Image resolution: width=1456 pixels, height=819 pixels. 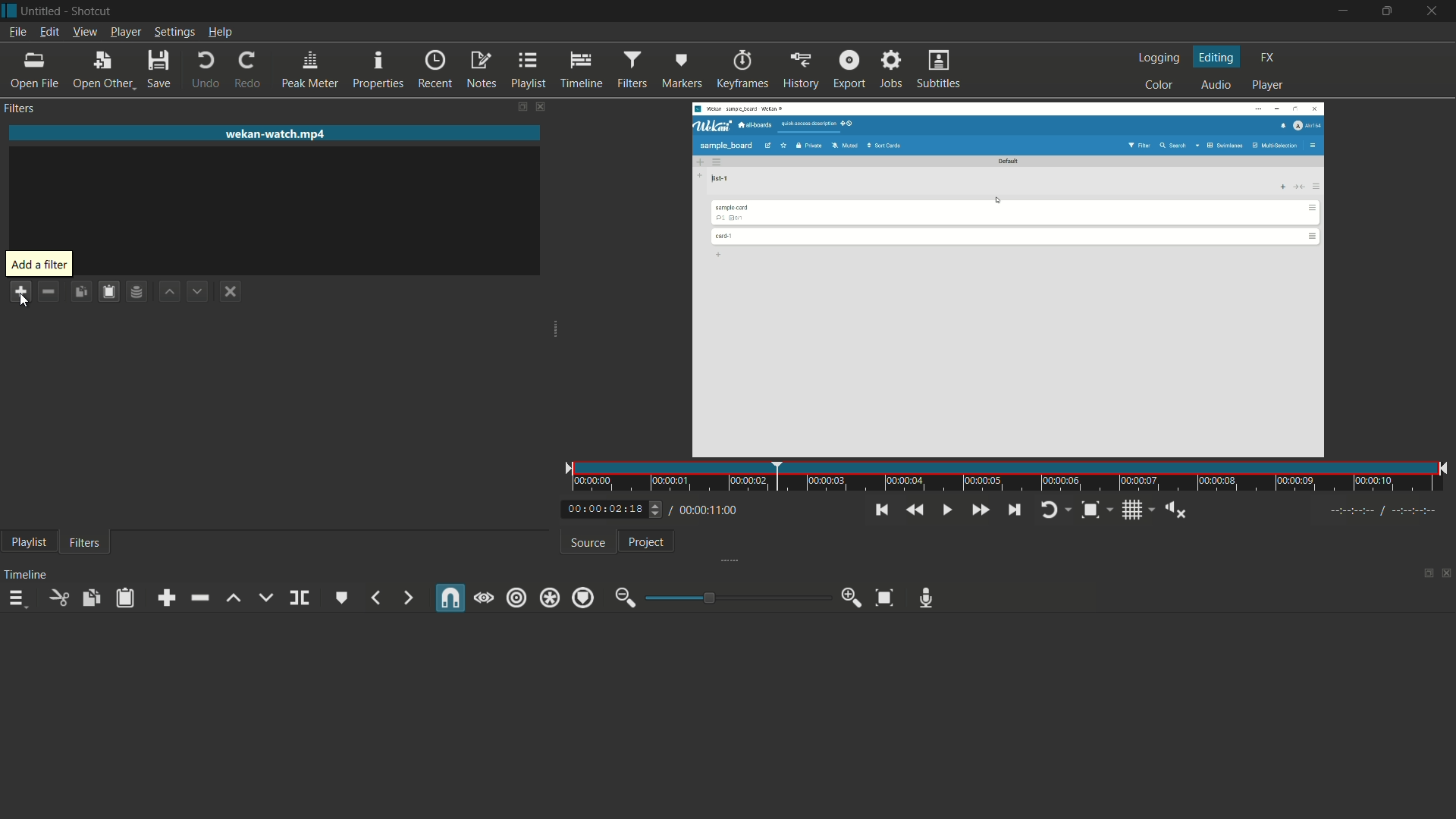 What do you see at coordinates (736, 598) in the screenshot?
I see `adjustment bar` at bounding box center [736, 598].